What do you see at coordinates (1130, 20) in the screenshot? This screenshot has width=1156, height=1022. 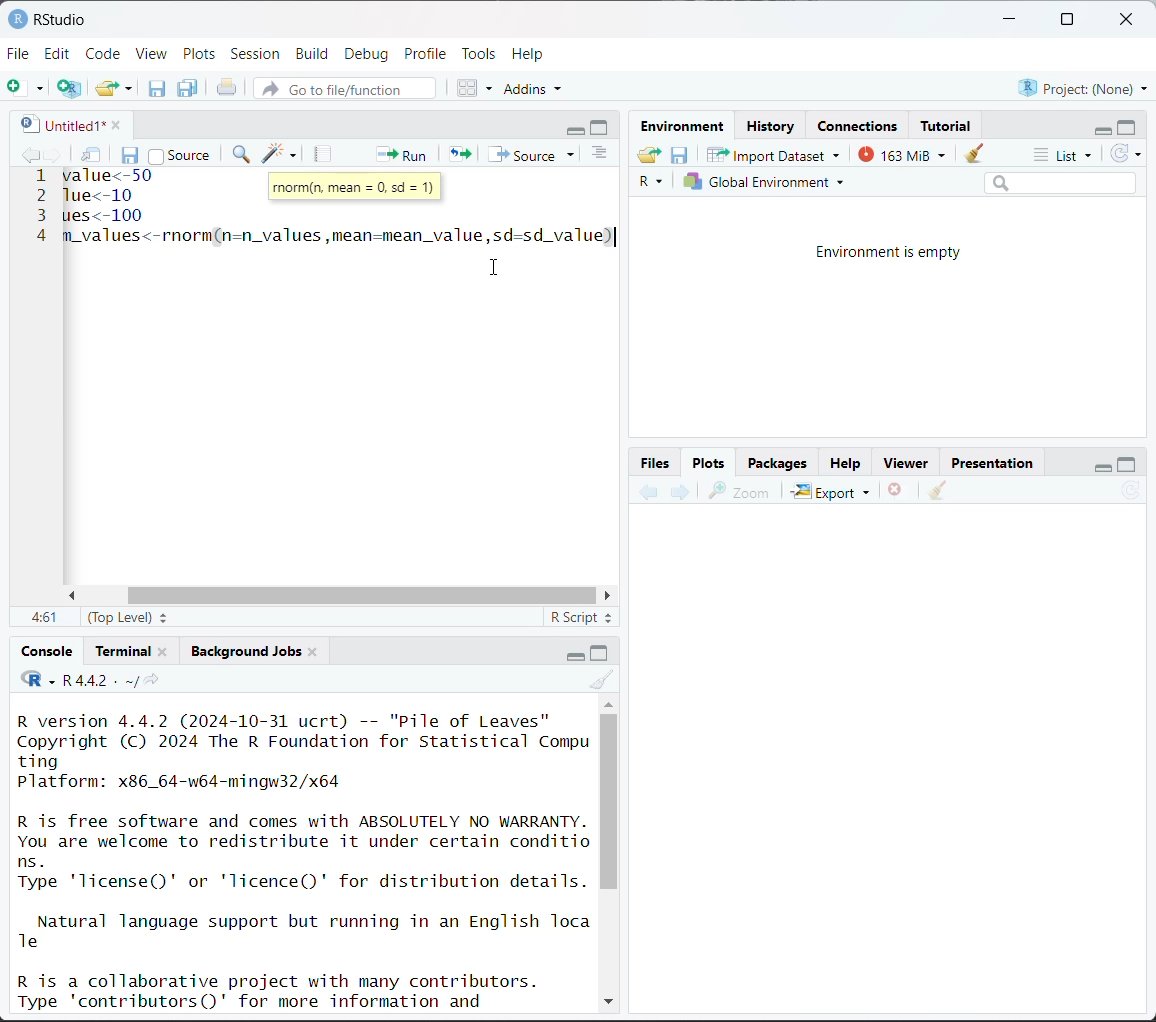 I see `close` at bounding box center [1130, 20].